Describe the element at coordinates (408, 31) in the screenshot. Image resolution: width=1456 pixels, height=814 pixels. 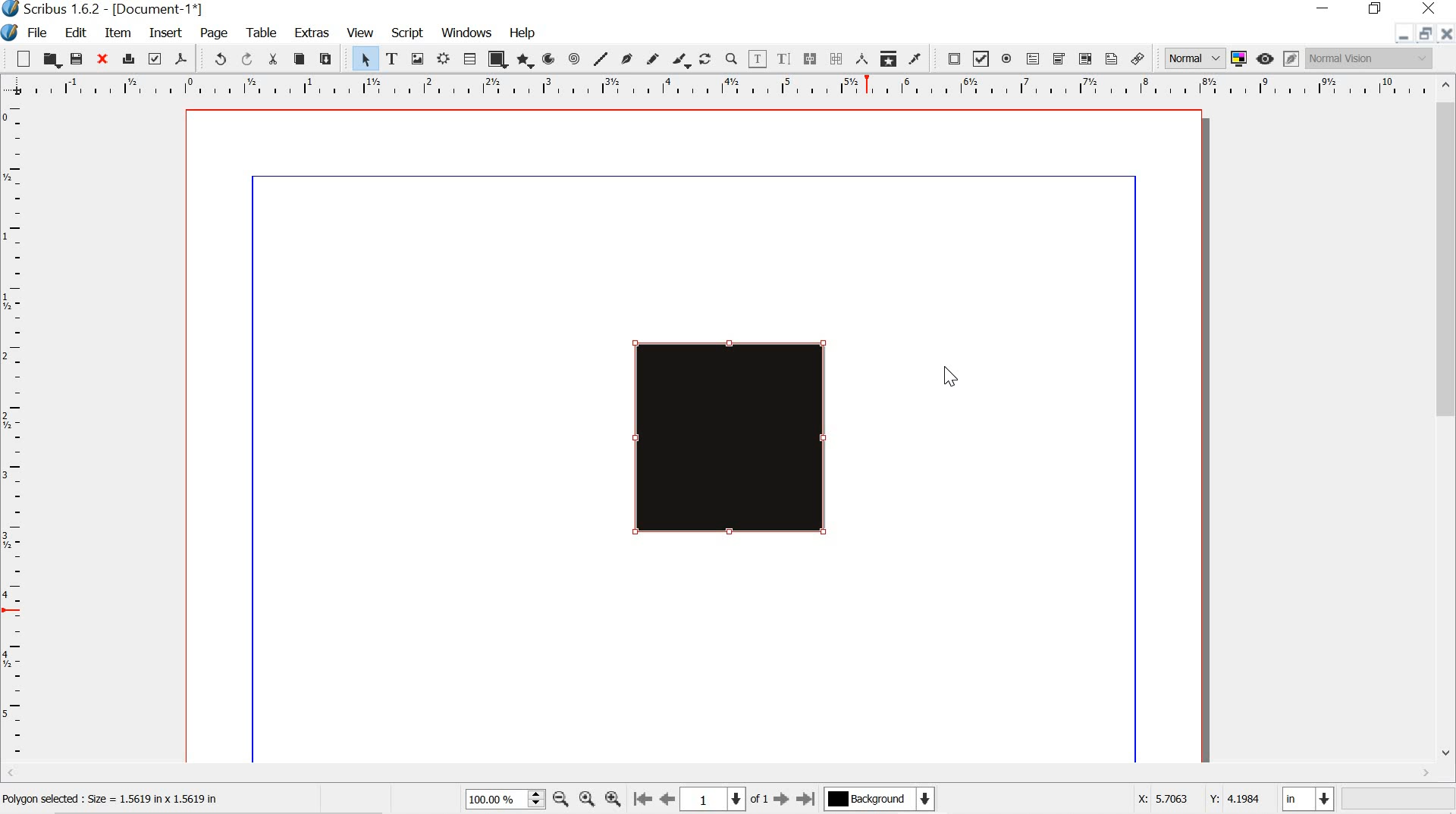
I see `script` at that location.